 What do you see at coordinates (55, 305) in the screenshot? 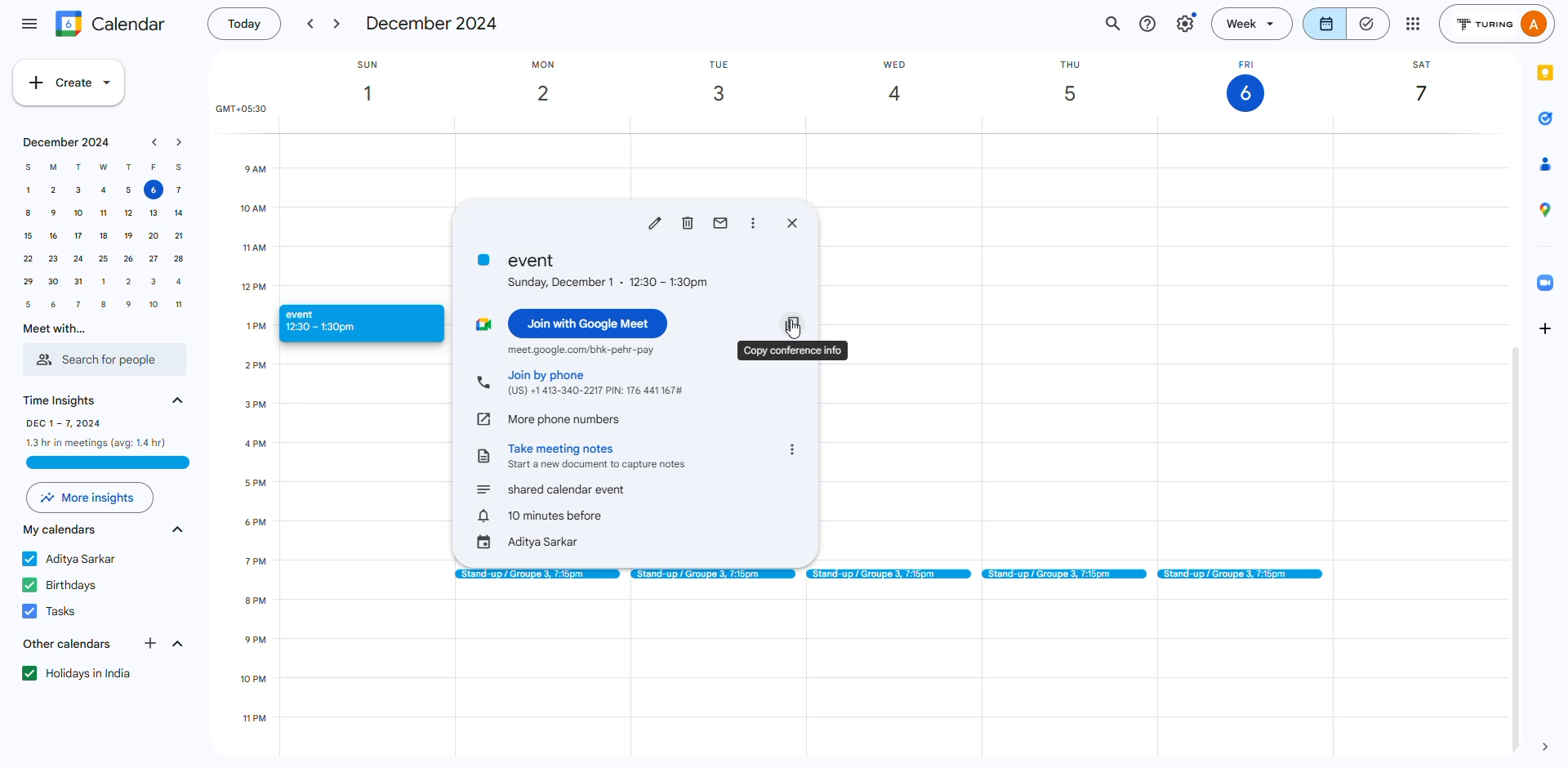
I see `6` at bounding box center [55, 305].